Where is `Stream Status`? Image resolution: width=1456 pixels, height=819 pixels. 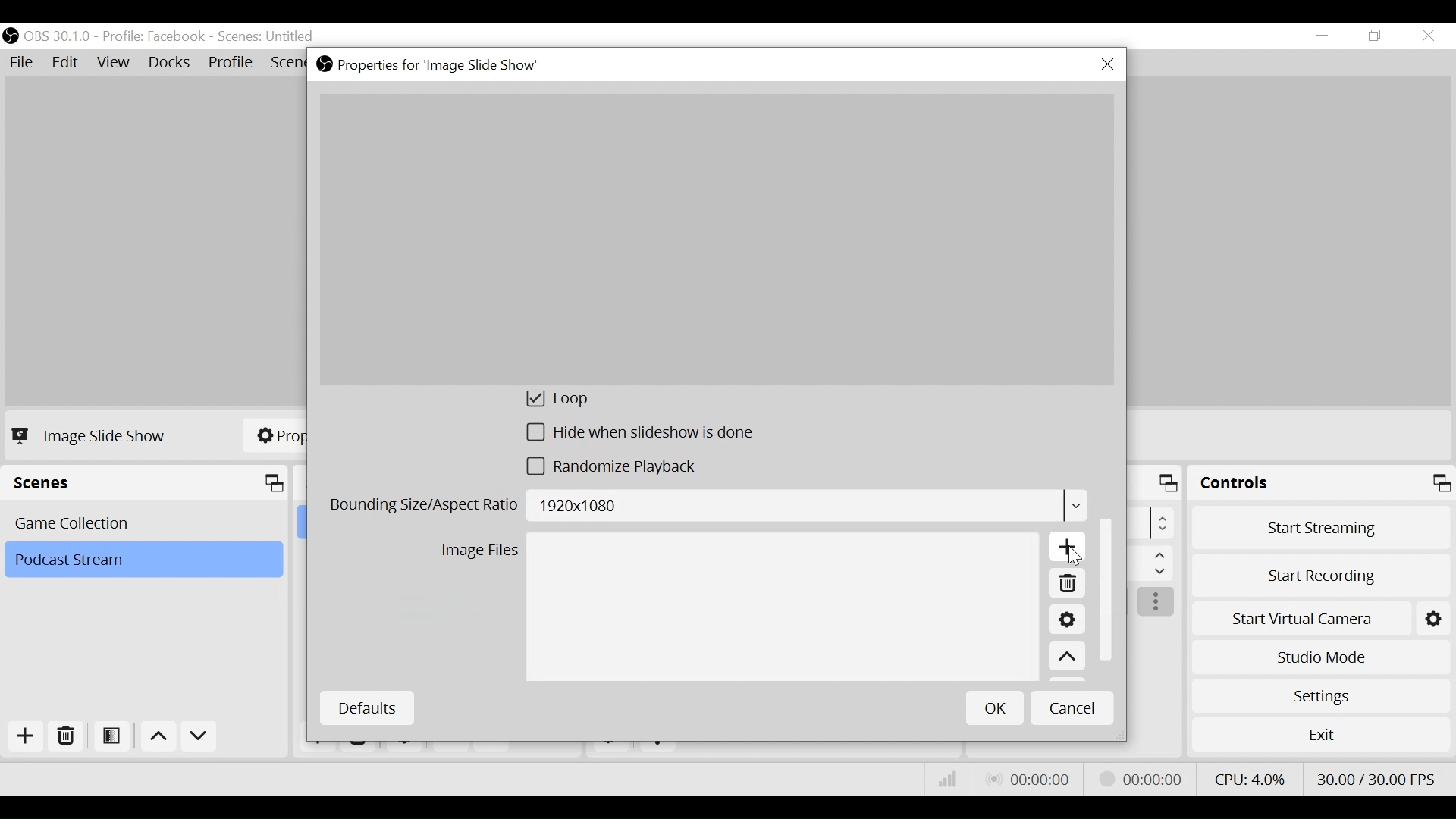 Stream Status is located at coordinates (1141, 777).